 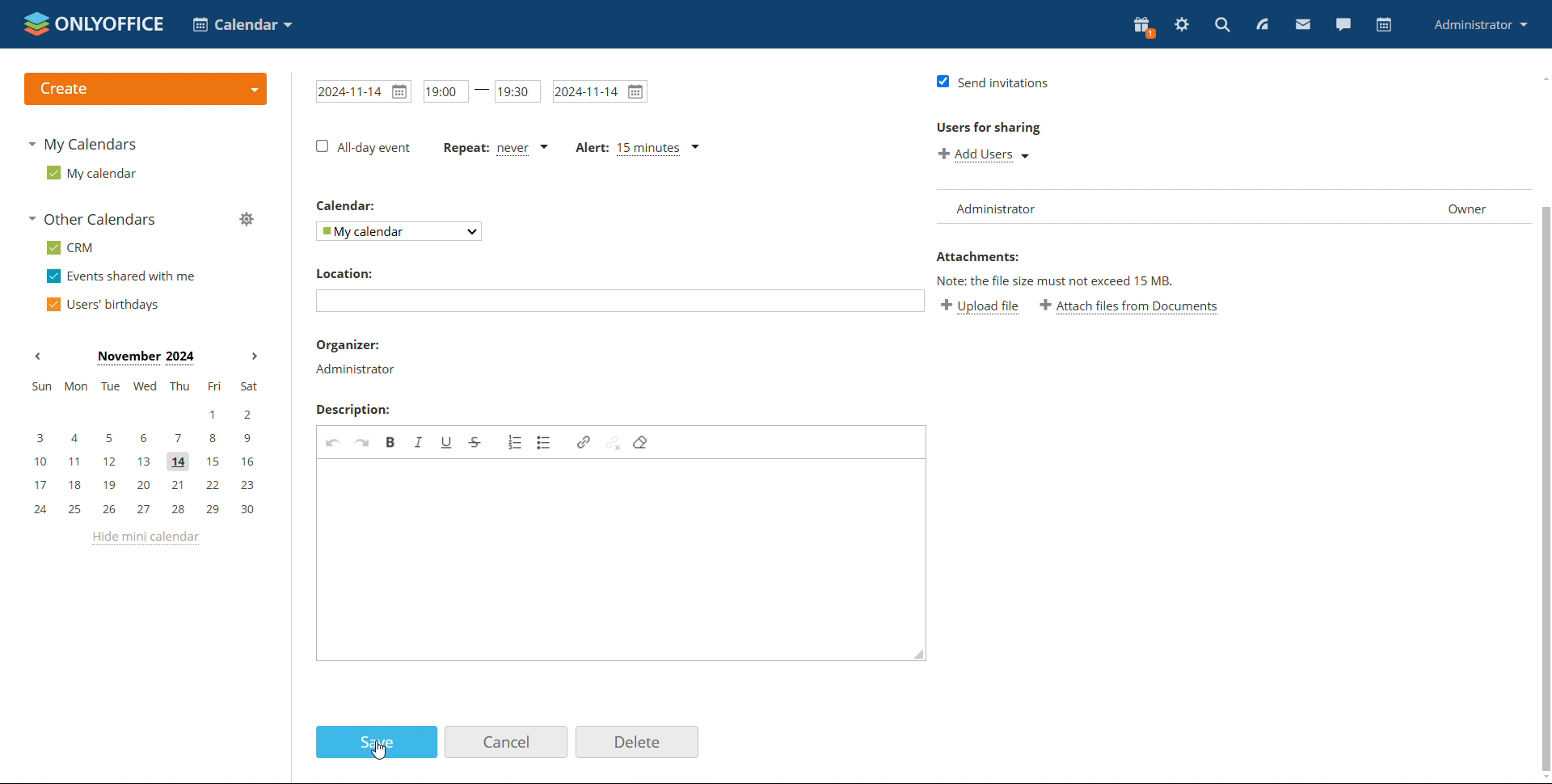 I want to click on add users , so click(x=981, y=306).